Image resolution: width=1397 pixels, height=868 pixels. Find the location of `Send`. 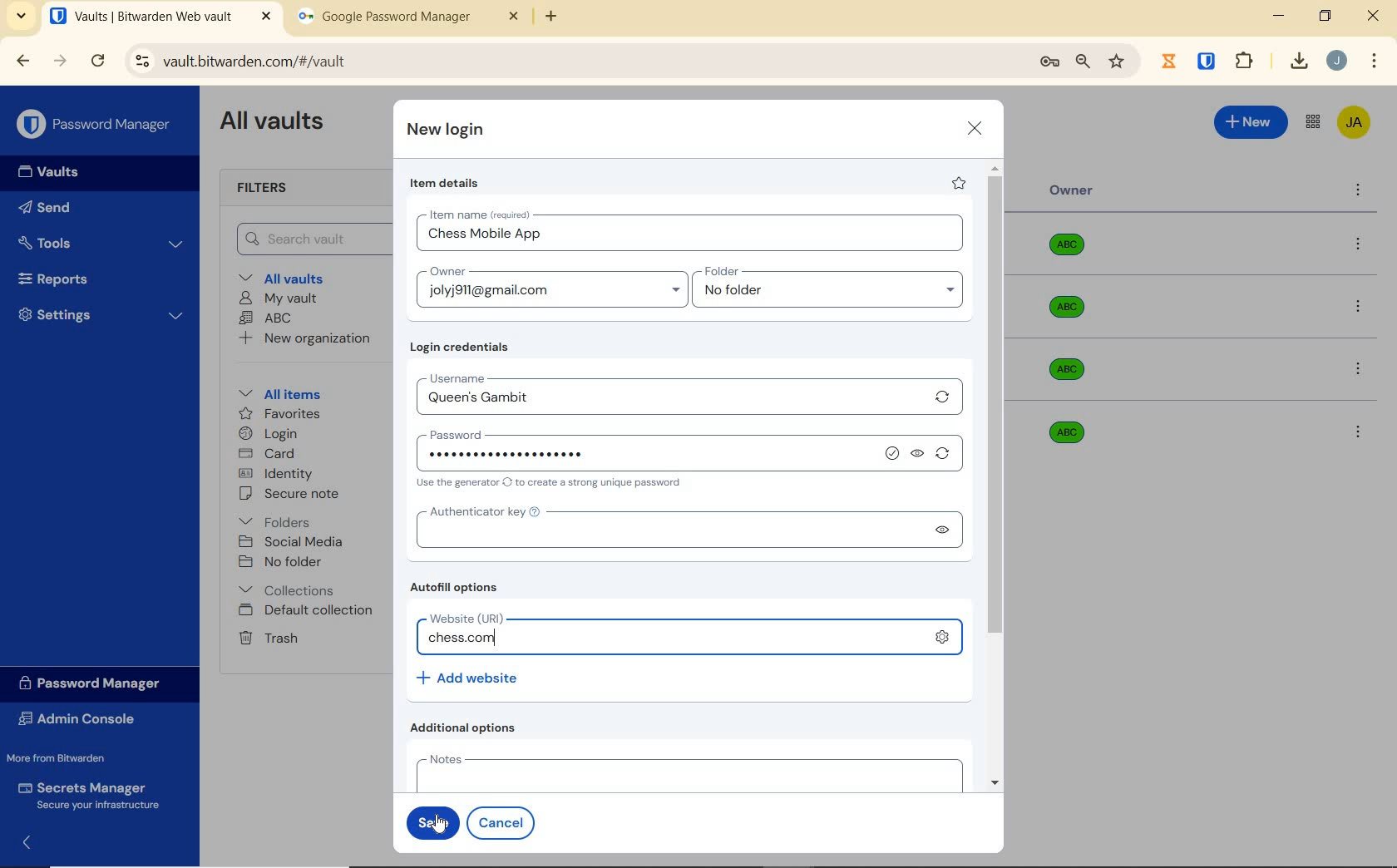

Send is located at coordinates (45, 210).